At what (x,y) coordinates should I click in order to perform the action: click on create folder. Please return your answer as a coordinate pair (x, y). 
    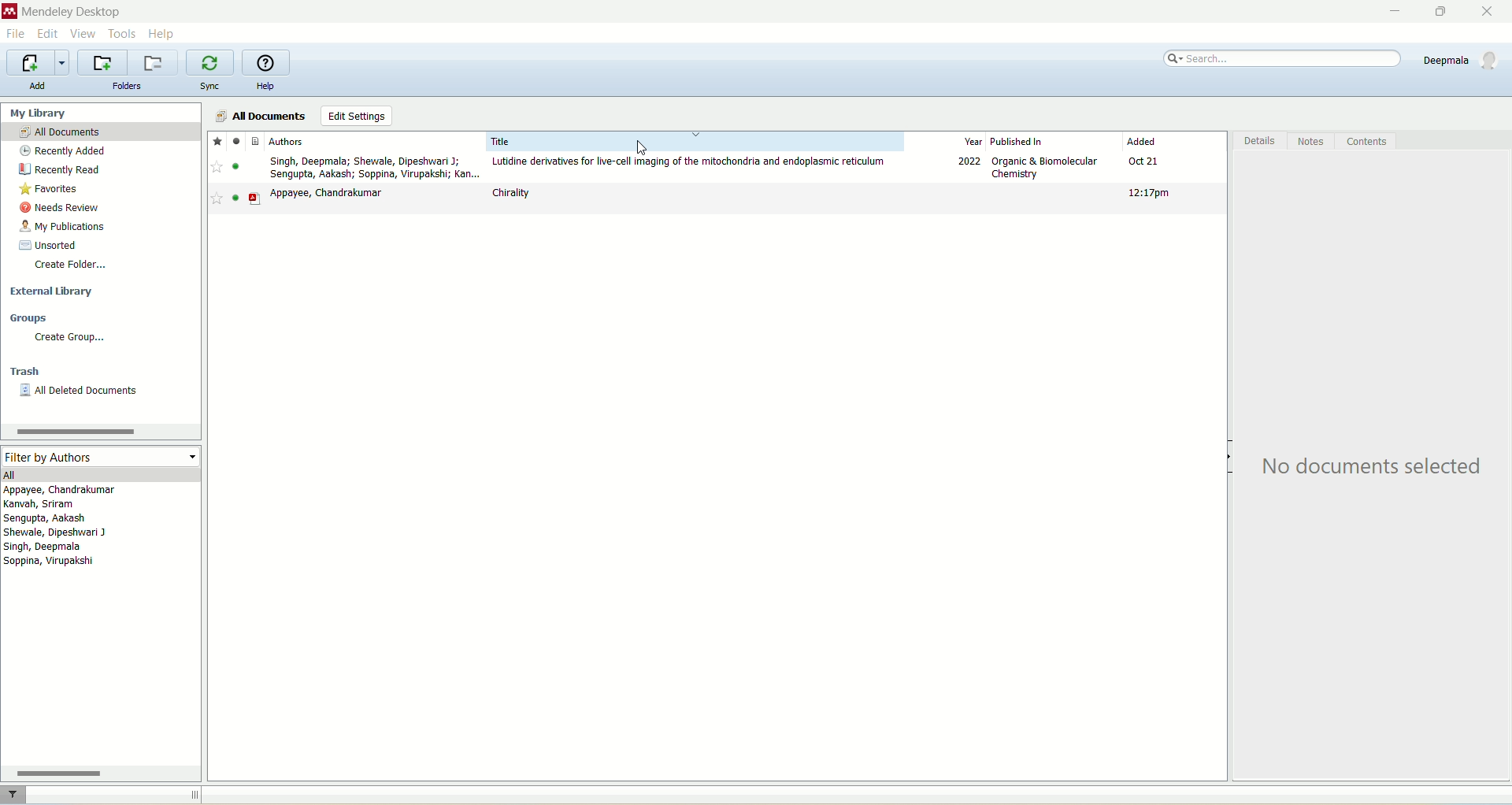
    Looking at the image, I should click on (74, 265).